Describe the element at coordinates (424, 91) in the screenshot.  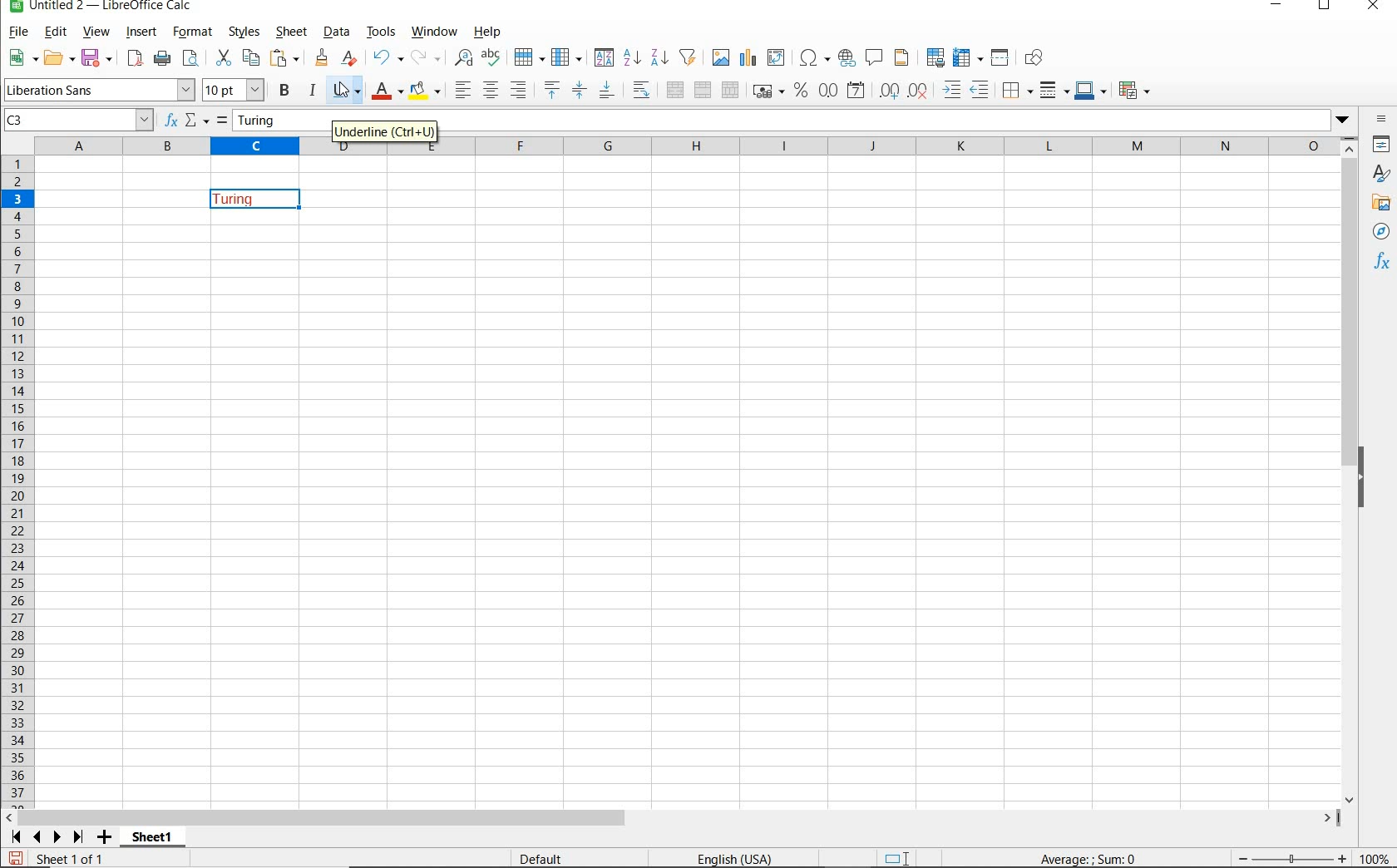
I see `BACKGROUND COLOR` at that location.